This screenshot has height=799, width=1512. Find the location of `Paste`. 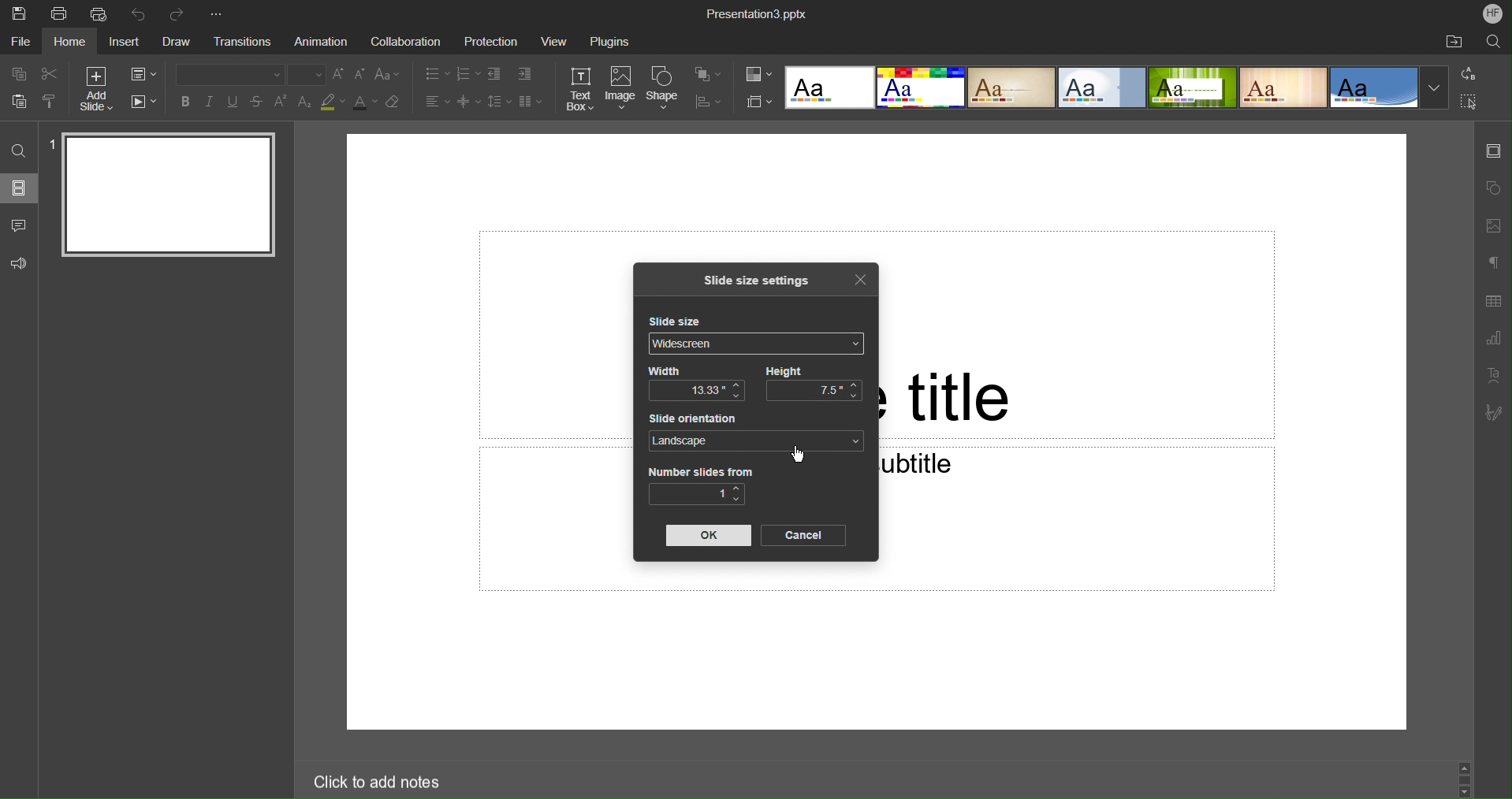

Paste is located at coordinates (16, 102).